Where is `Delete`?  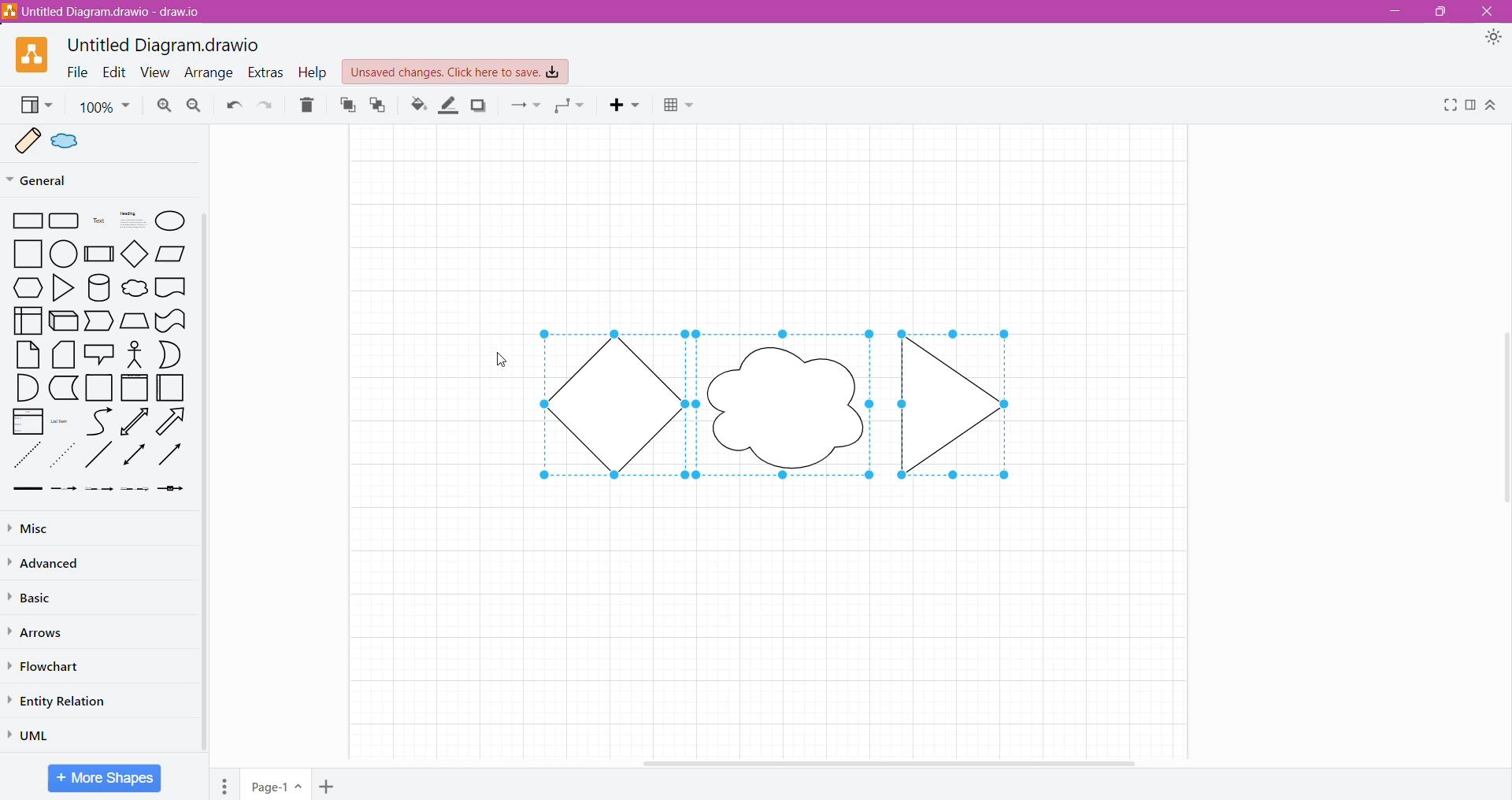 Delete is located at coordinates (309, 106).